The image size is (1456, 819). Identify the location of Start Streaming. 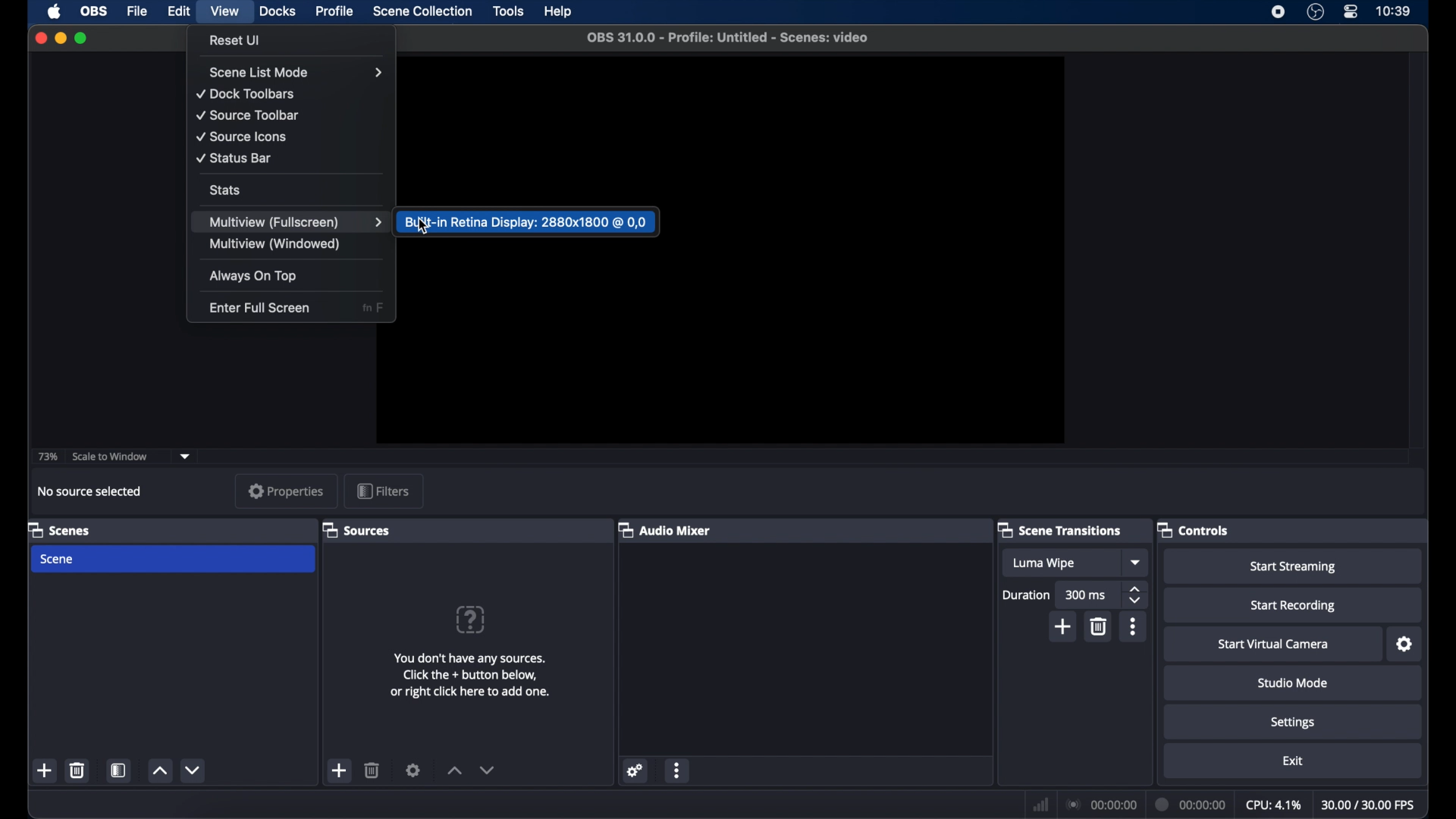
(1292, 565).